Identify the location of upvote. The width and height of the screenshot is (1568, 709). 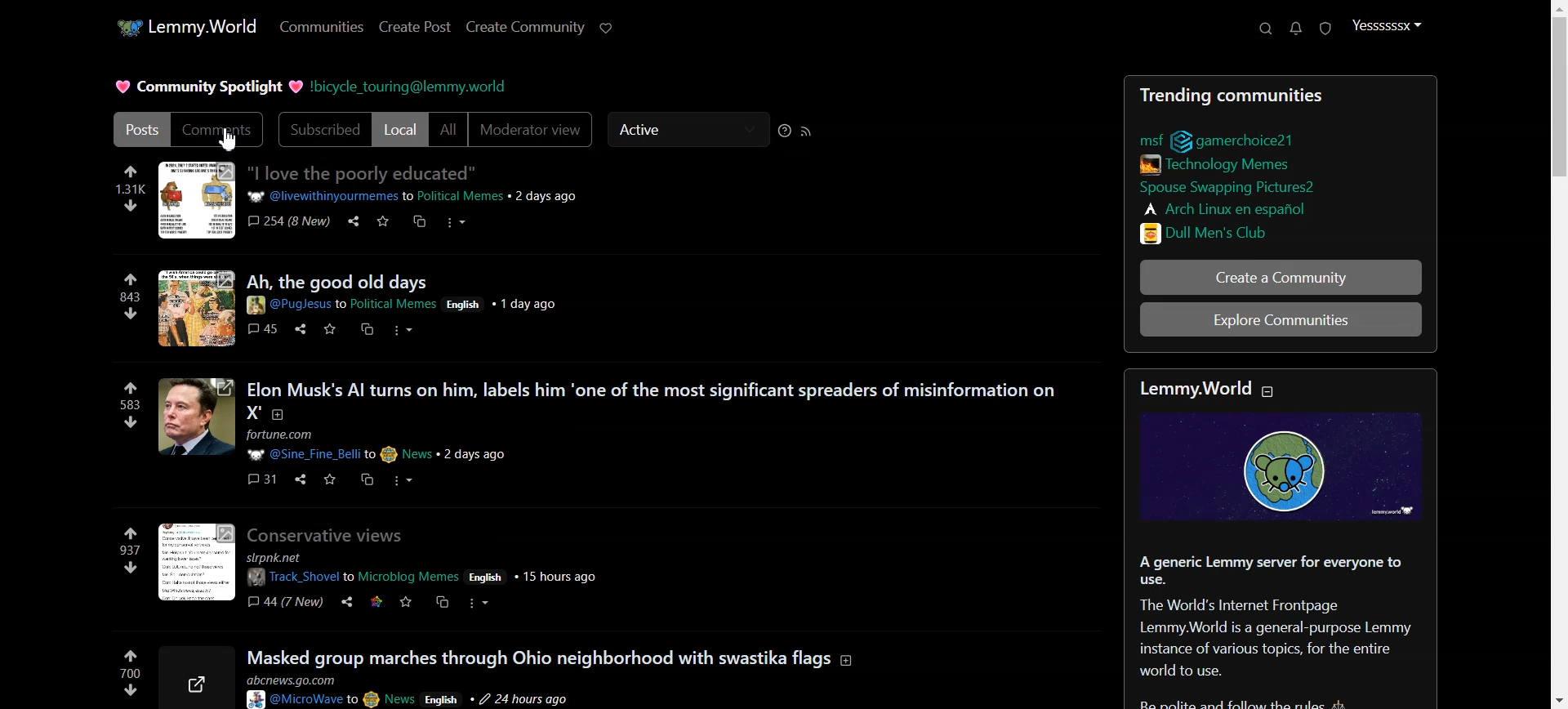
(130, 390).